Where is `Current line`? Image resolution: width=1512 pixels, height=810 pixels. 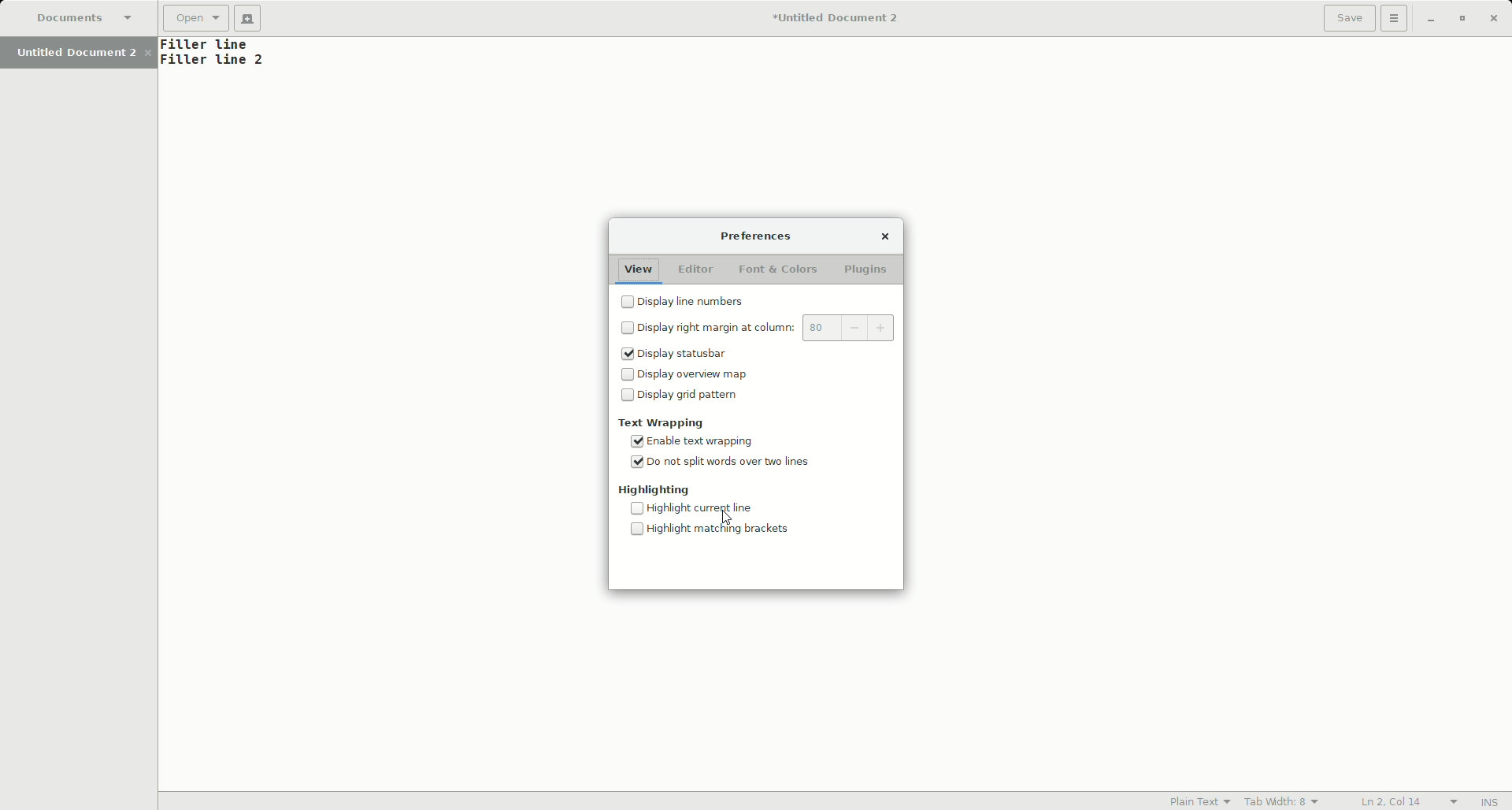 Current line is located at coordinates (717, 508).